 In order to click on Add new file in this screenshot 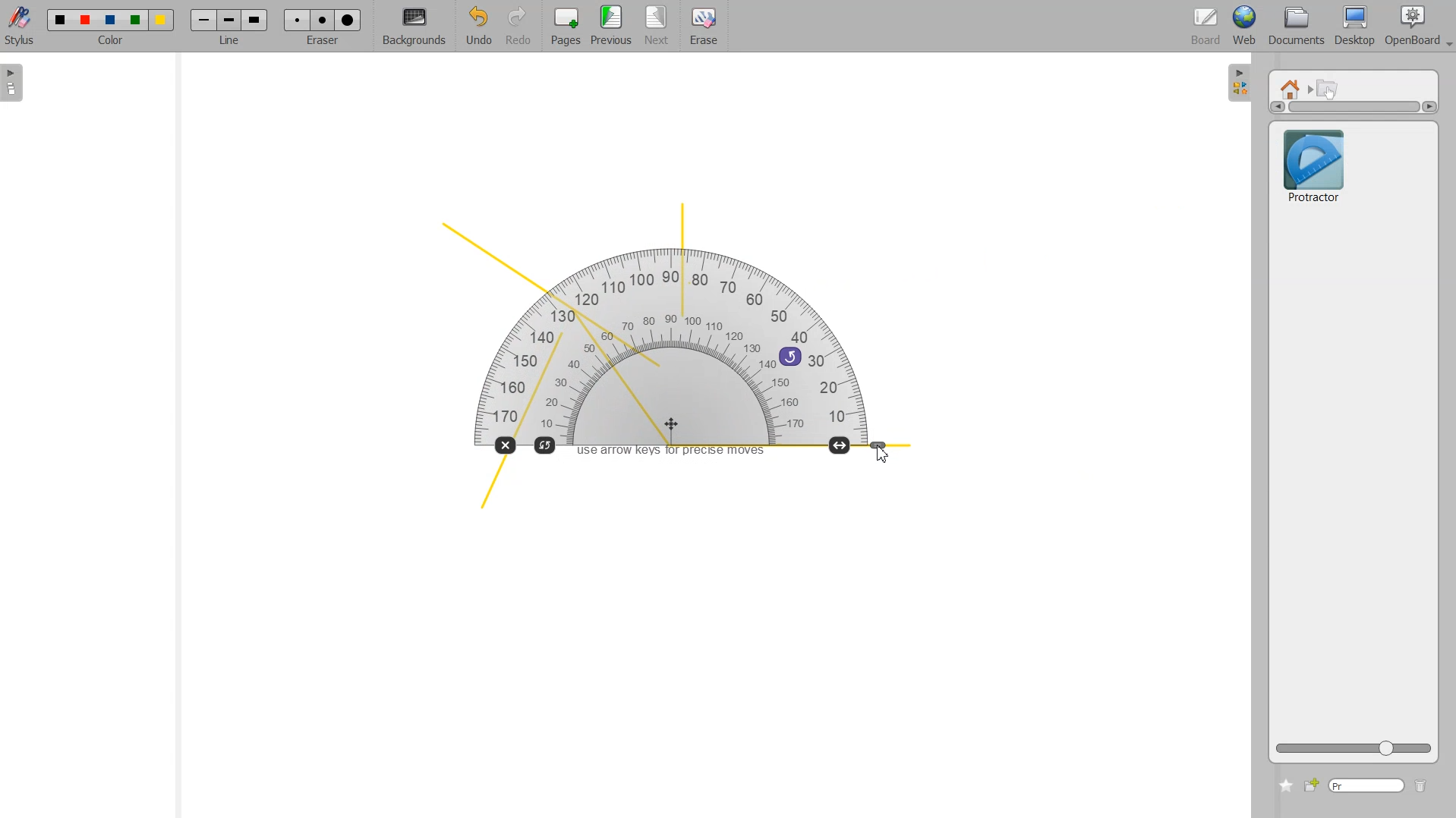, I will do `click(1310, 785)`.